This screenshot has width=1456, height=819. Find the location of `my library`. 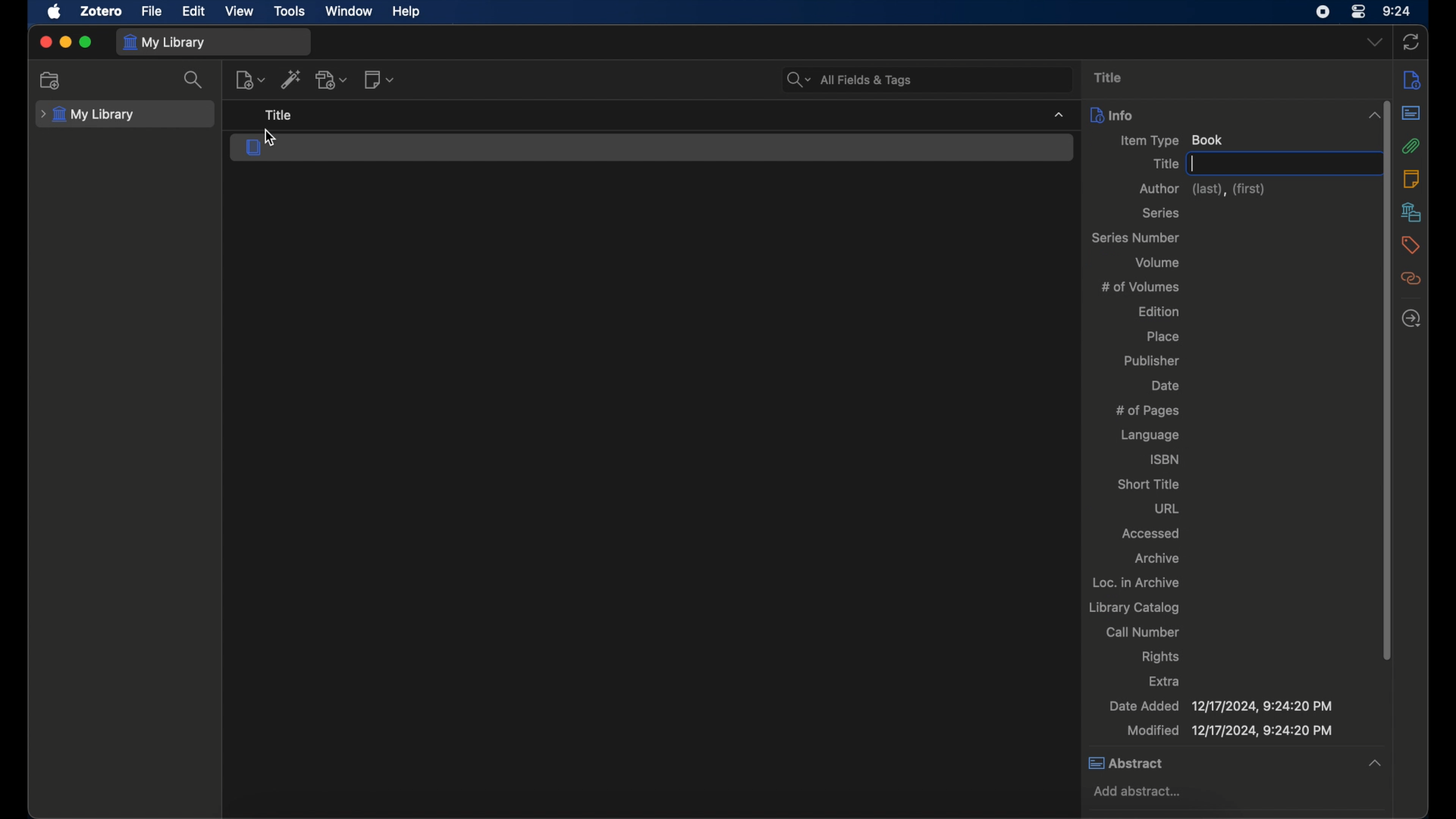

my library is located at coordinates (165, 43).